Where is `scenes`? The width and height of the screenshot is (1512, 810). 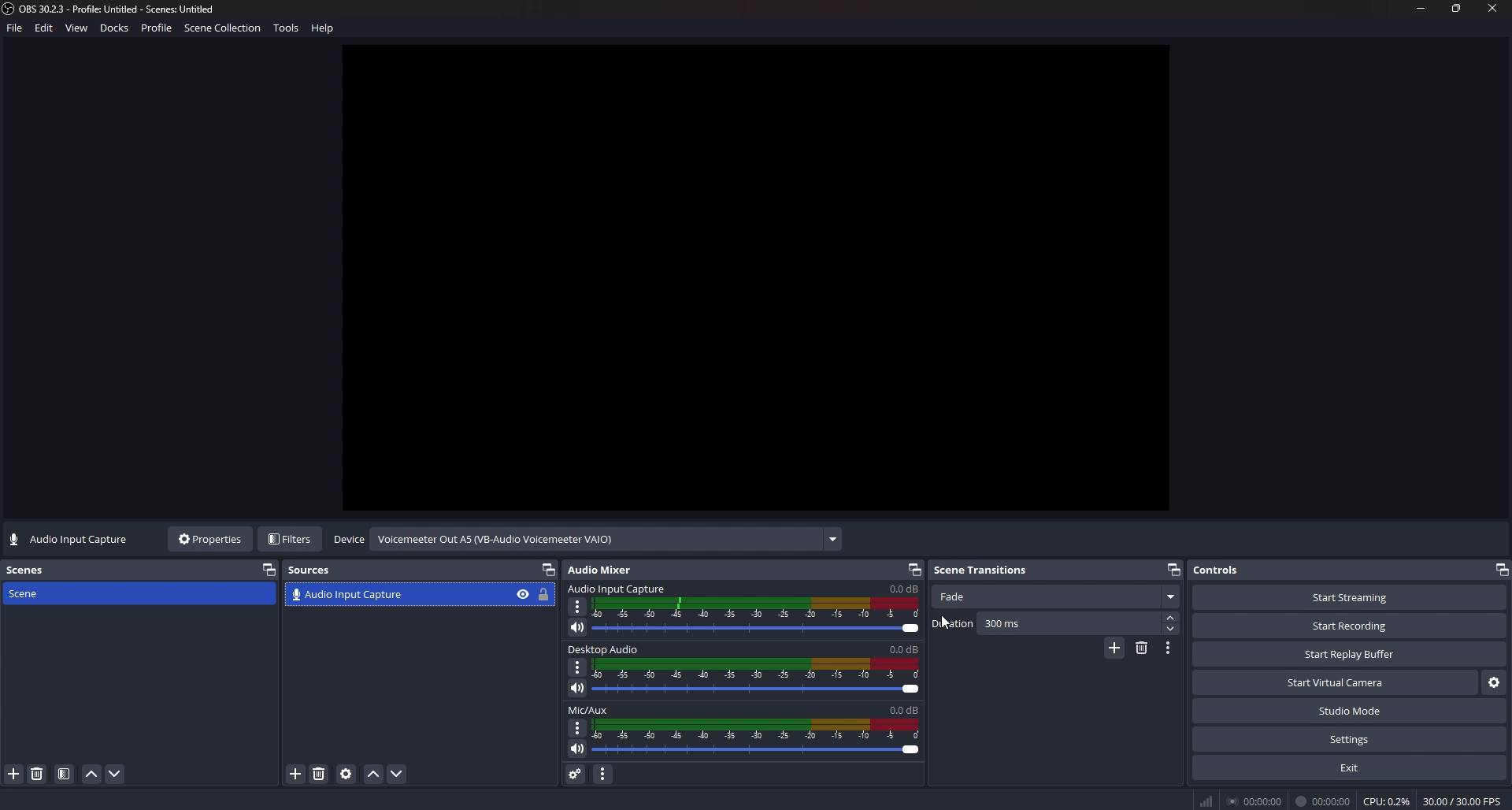 scenes is located at coordinates (29, 570).